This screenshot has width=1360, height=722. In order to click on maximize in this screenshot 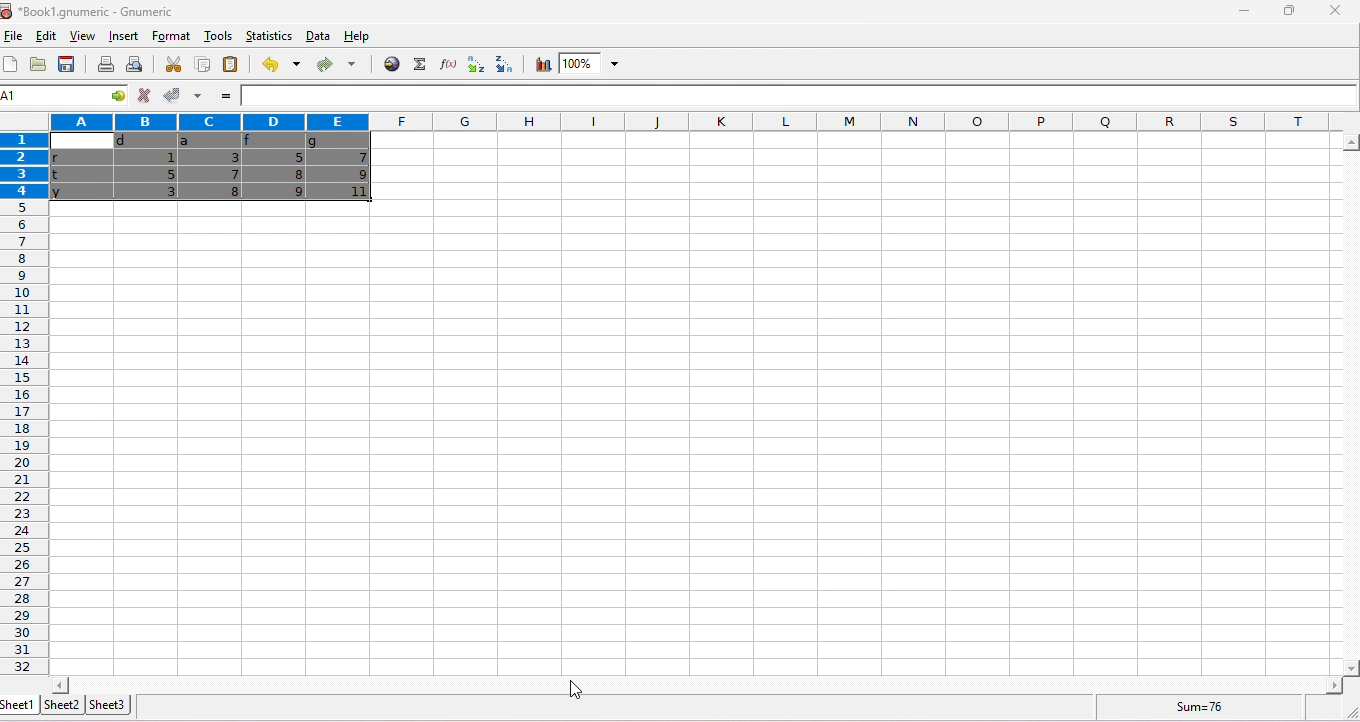, I will do `click(1286, 11)`.